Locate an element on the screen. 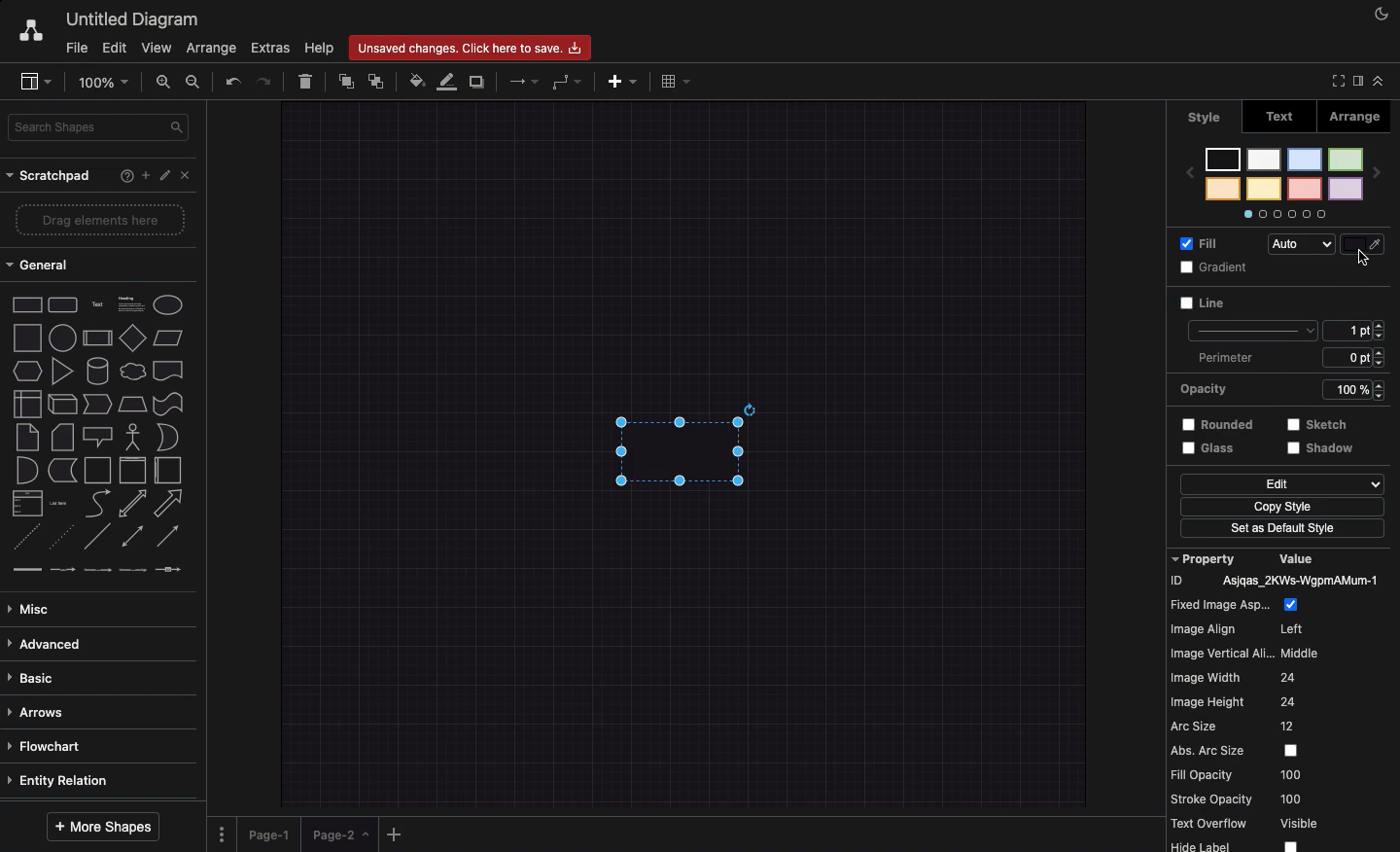 The height and width of the screenshot is (852, 1400). Edit is located at coordinates (114, 47).